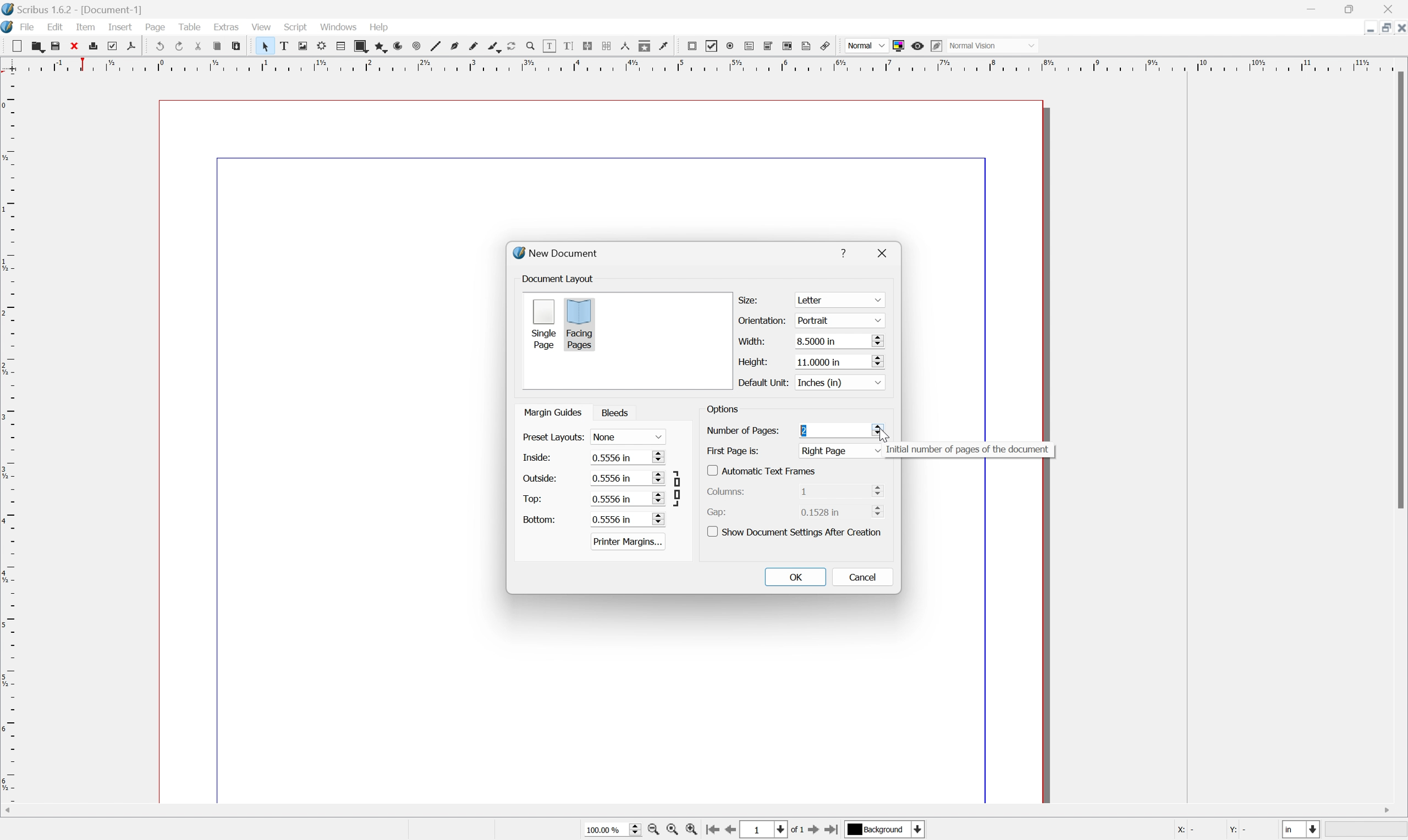  What do you see at coordinates (751, 361) in the screenshot?
I see `height:` at bounding box center [751, 361].